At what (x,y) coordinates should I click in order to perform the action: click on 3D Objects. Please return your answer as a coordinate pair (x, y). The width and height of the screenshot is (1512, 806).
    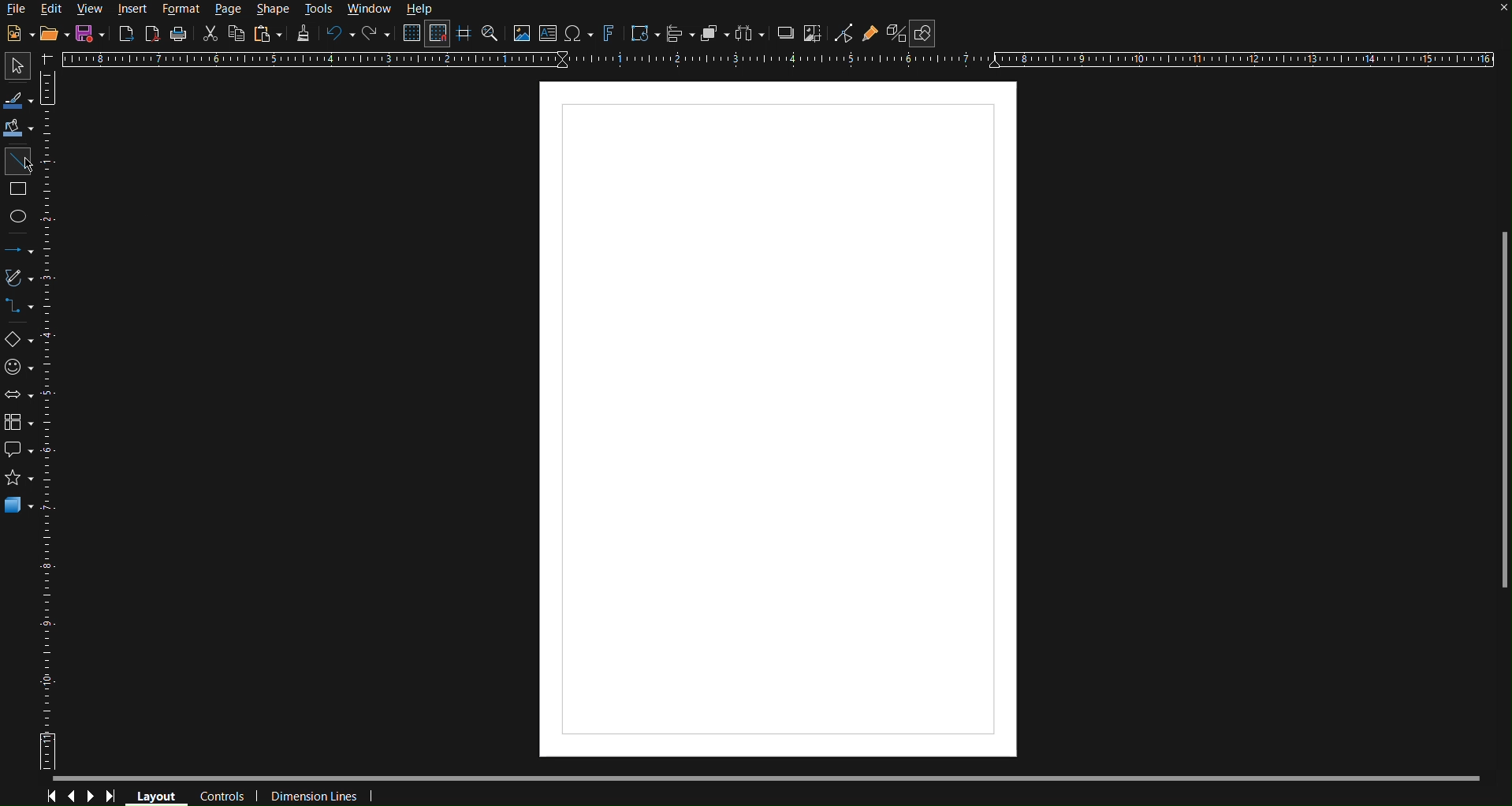
    Looking at the image, I should click on (19, 504).